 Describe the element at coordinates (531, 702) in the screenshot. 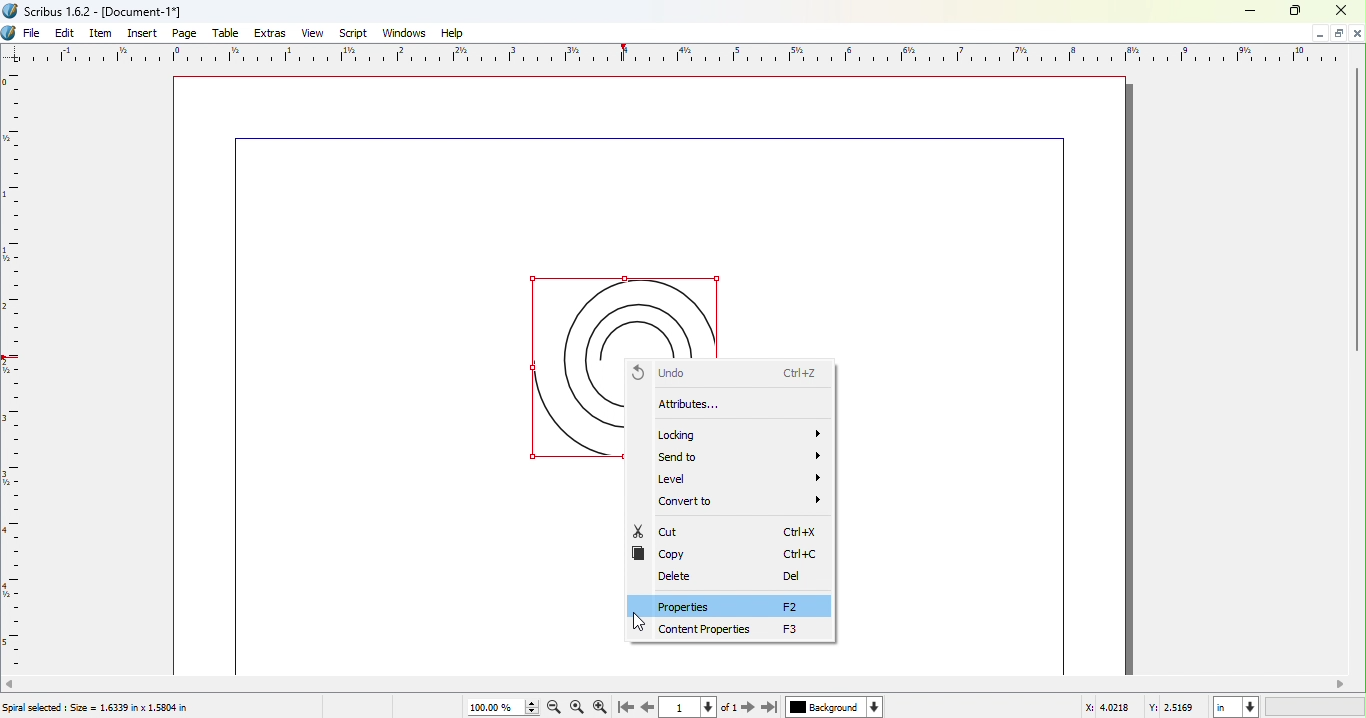

I see `increase zoom` at that location.